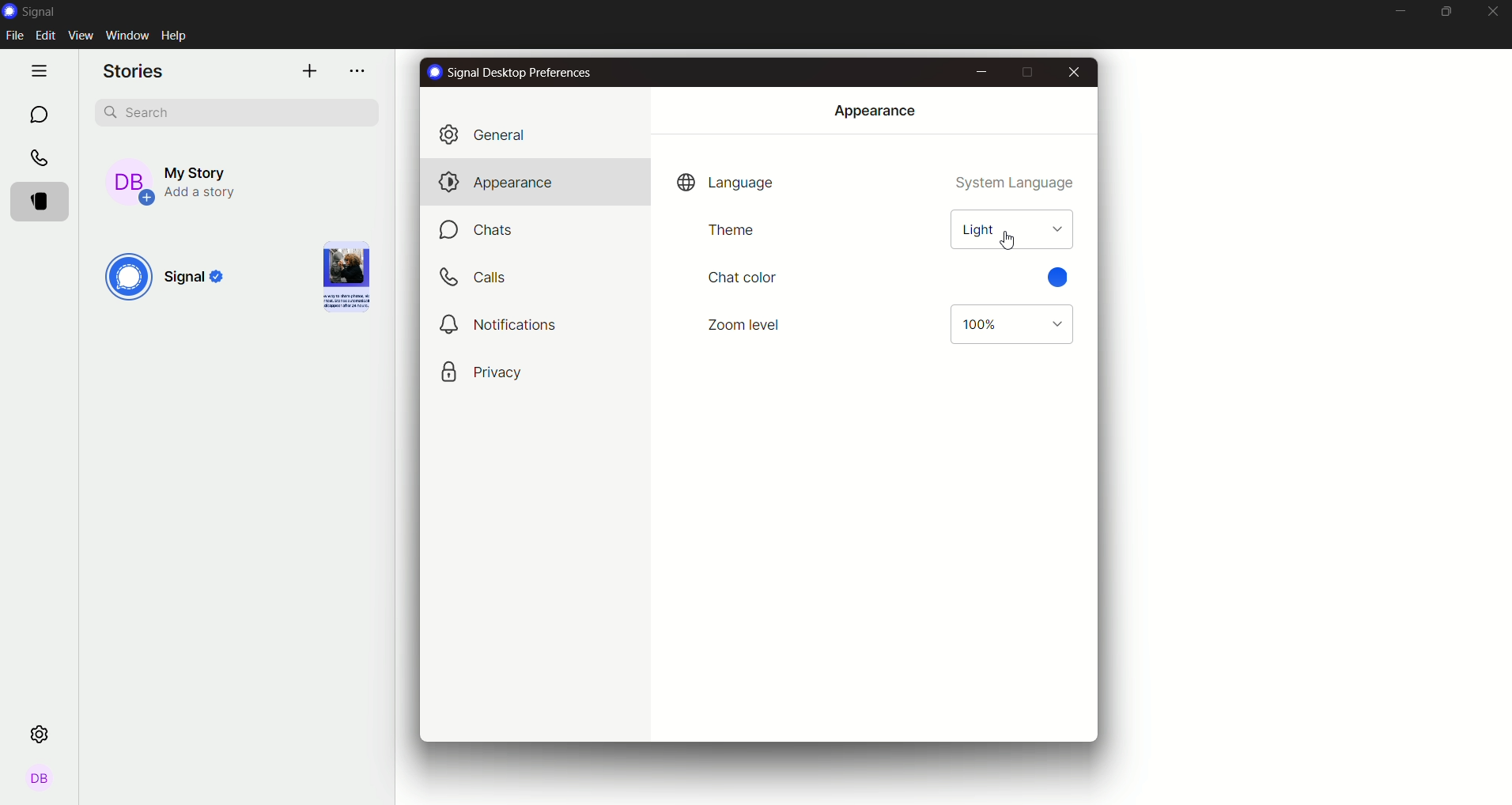 This screenshot has width=1512, height=805. What do you see at coordinates (1492, 13) in the screenshot?
I see `close` at bounding box center [1492, 13].